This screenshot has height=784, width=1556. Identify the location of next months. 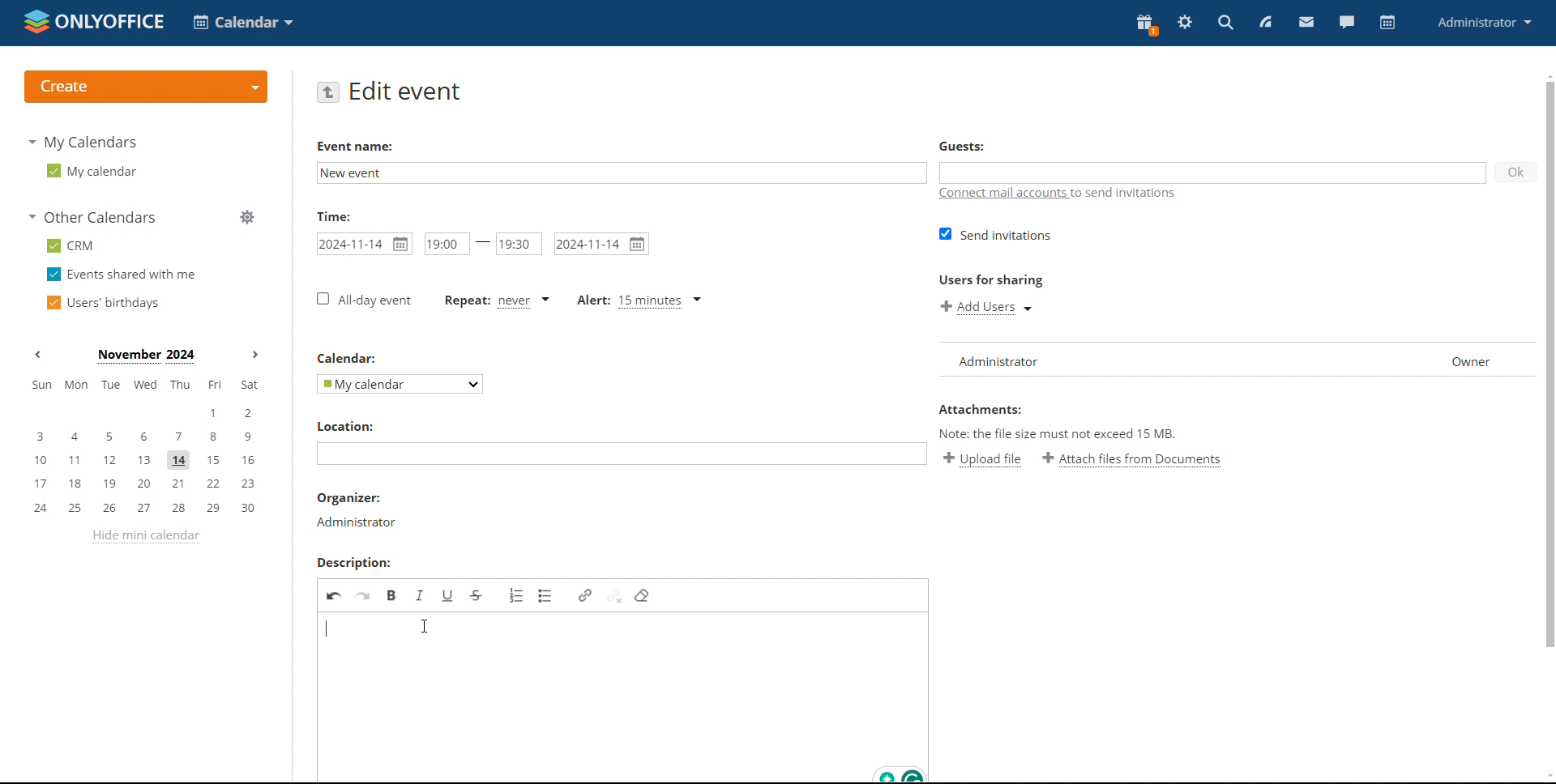
(253, 355).